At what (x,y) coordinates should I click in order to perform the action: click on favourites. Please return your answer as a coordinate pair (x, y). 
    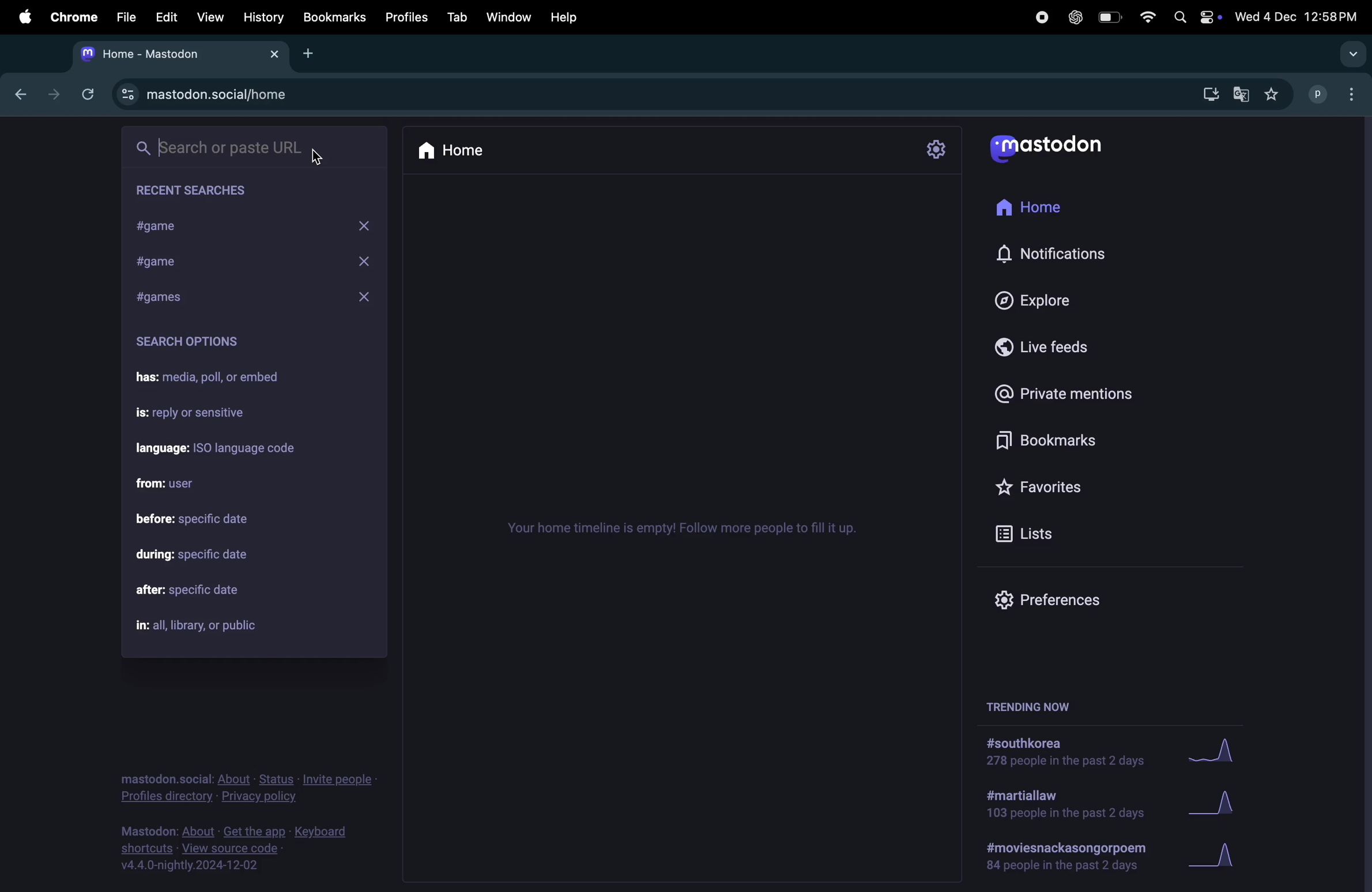
    Looking at the image, I should click on (1275, 93).